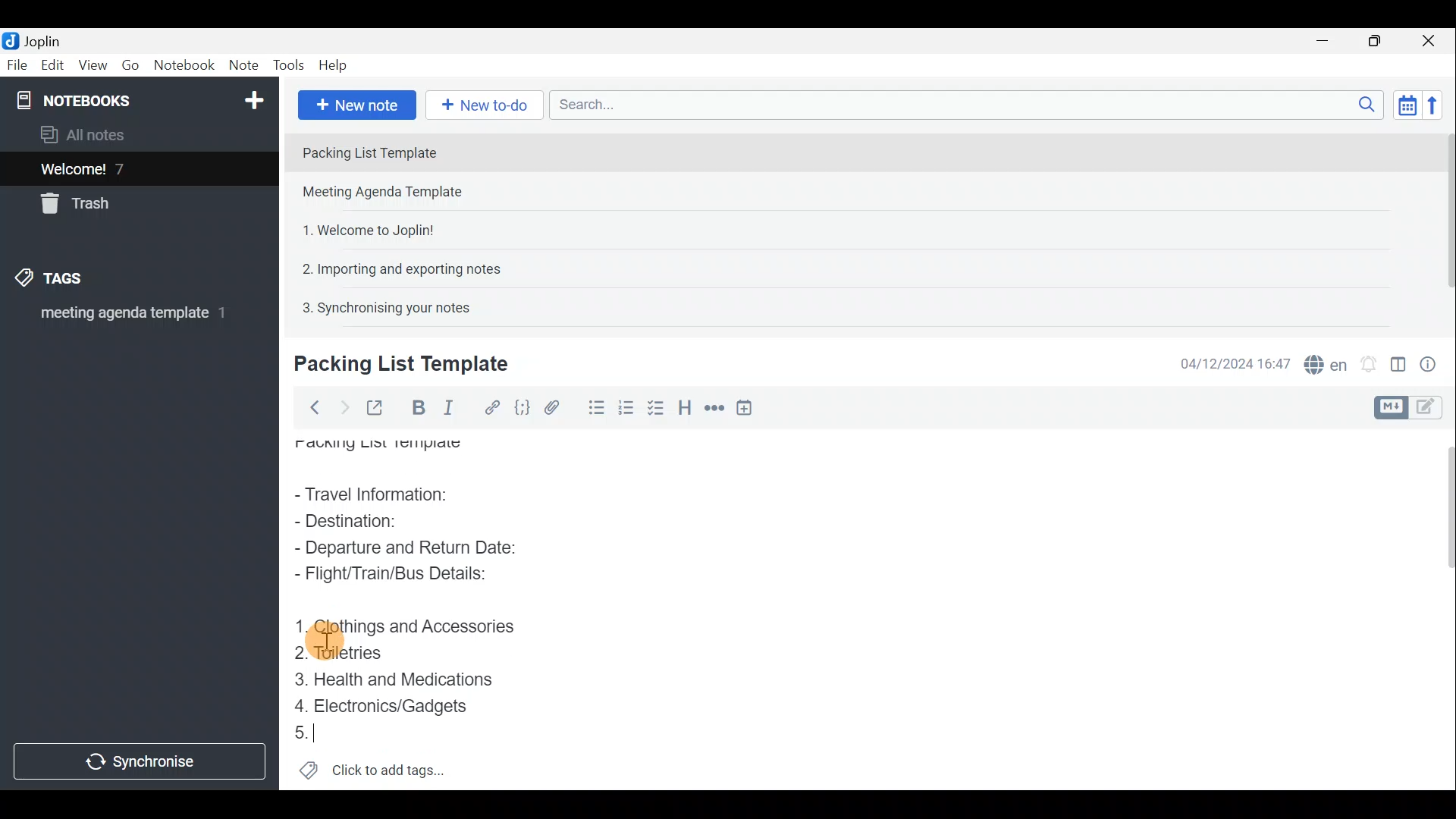 The image size is (1456, 819). Describe the element at coordinates (1330, 43) in the screenshot. I see `Minimise` at that location.